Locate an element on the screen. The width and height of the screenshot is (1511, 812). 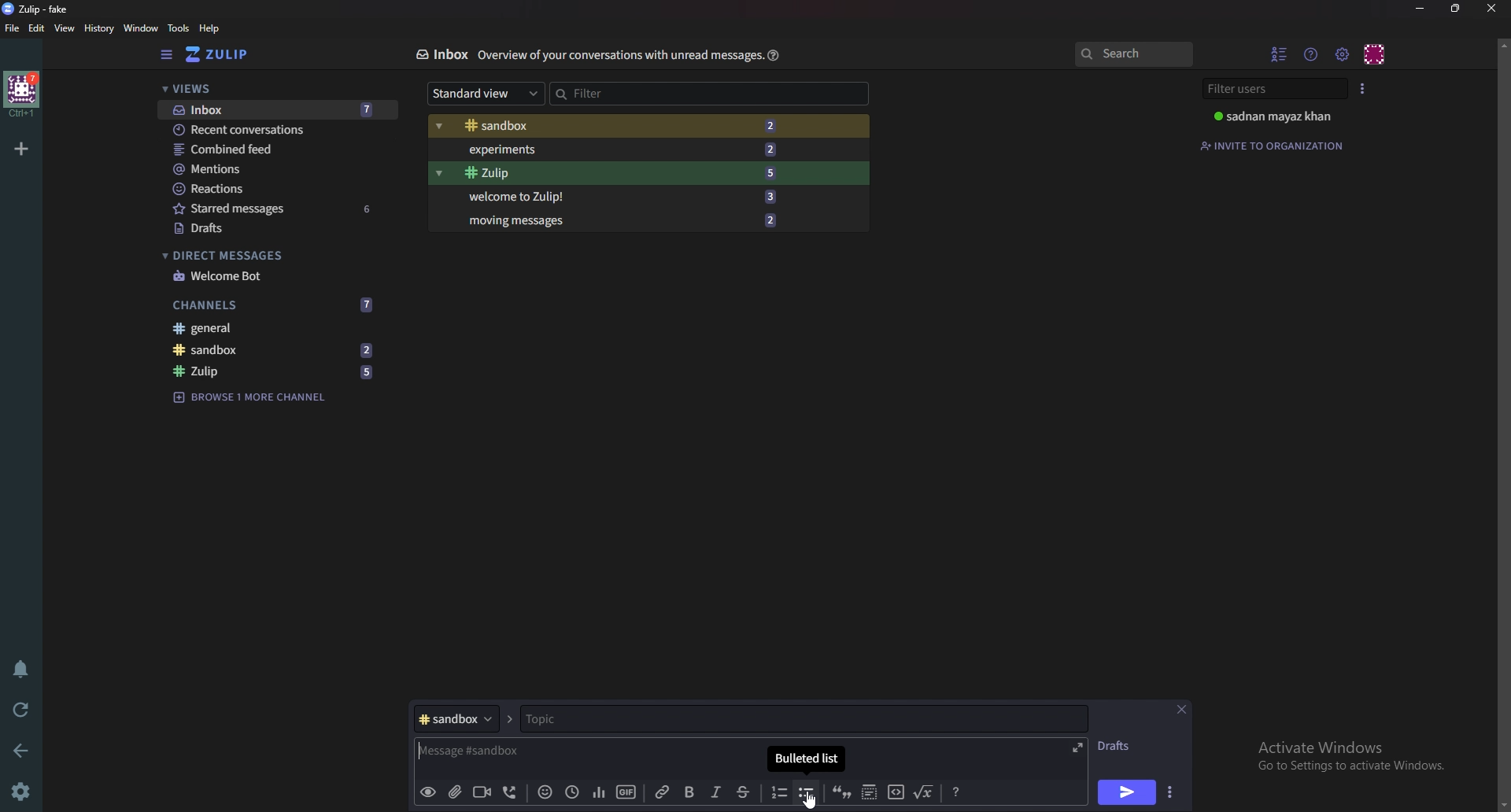
Edit is located at coordinates (37, 28).